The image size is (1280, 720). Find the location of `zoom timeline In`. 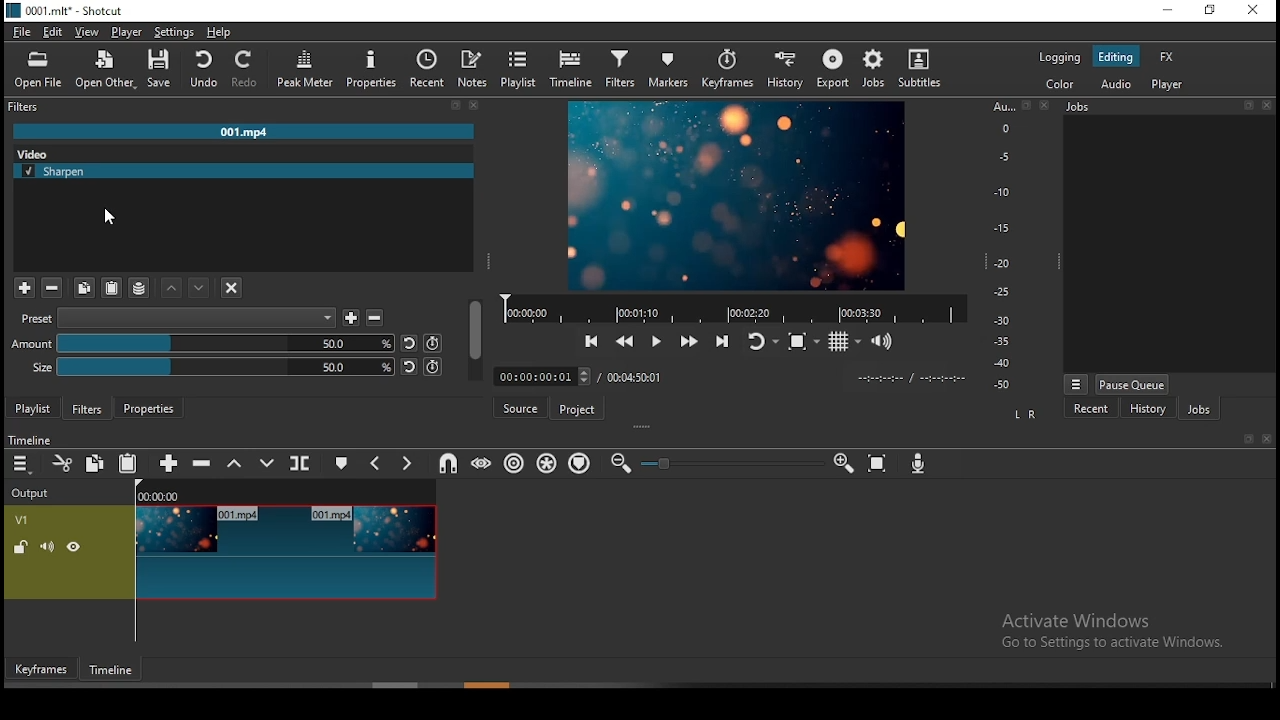

zoom timeline In is located at coordinates (841, 464).